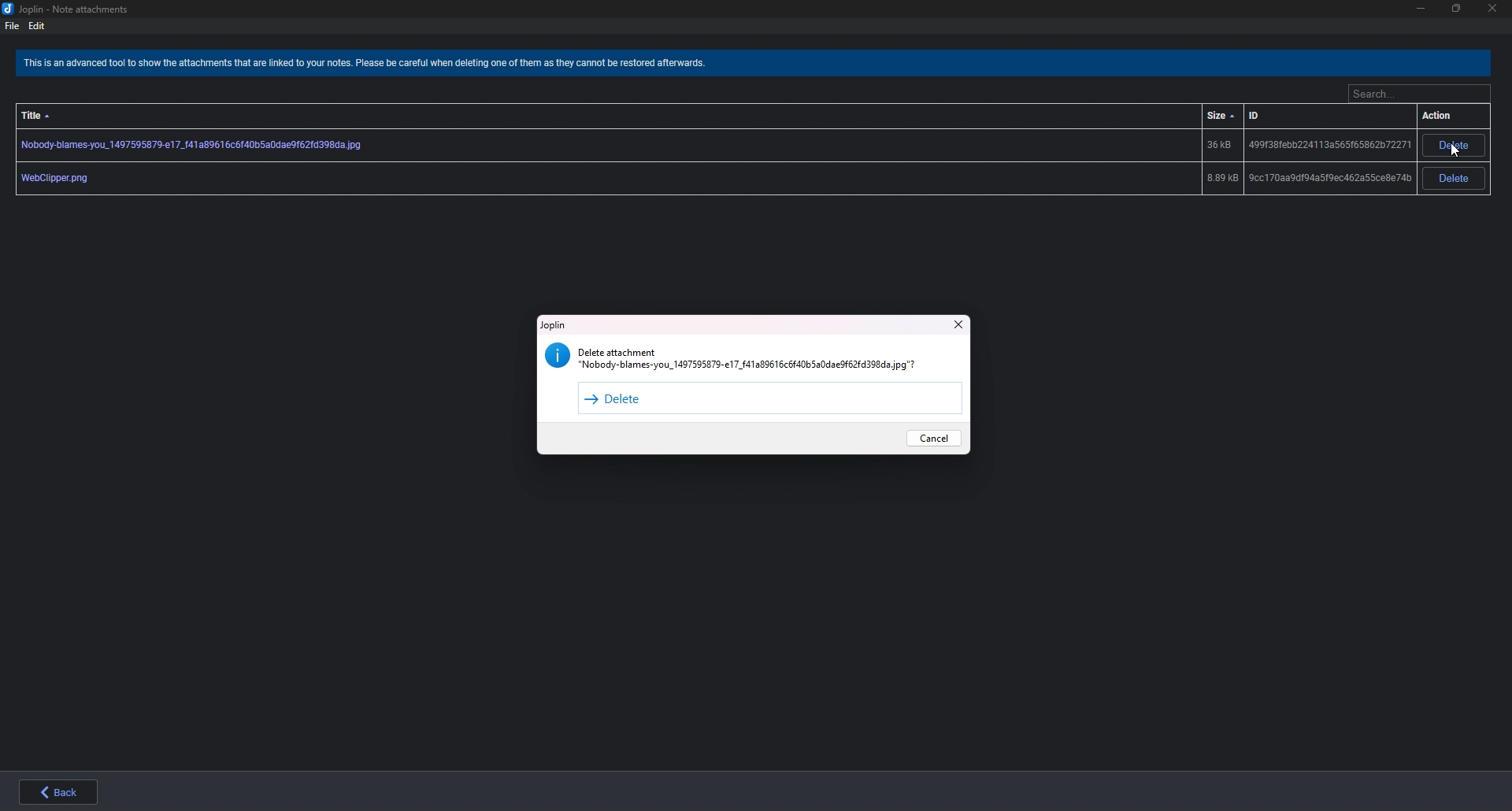 This screenshot has height=811, width=1512. What do you see at coordinates (711, 179) in the screenshot?
I see `Attachment` at bounding box center [711, 179].